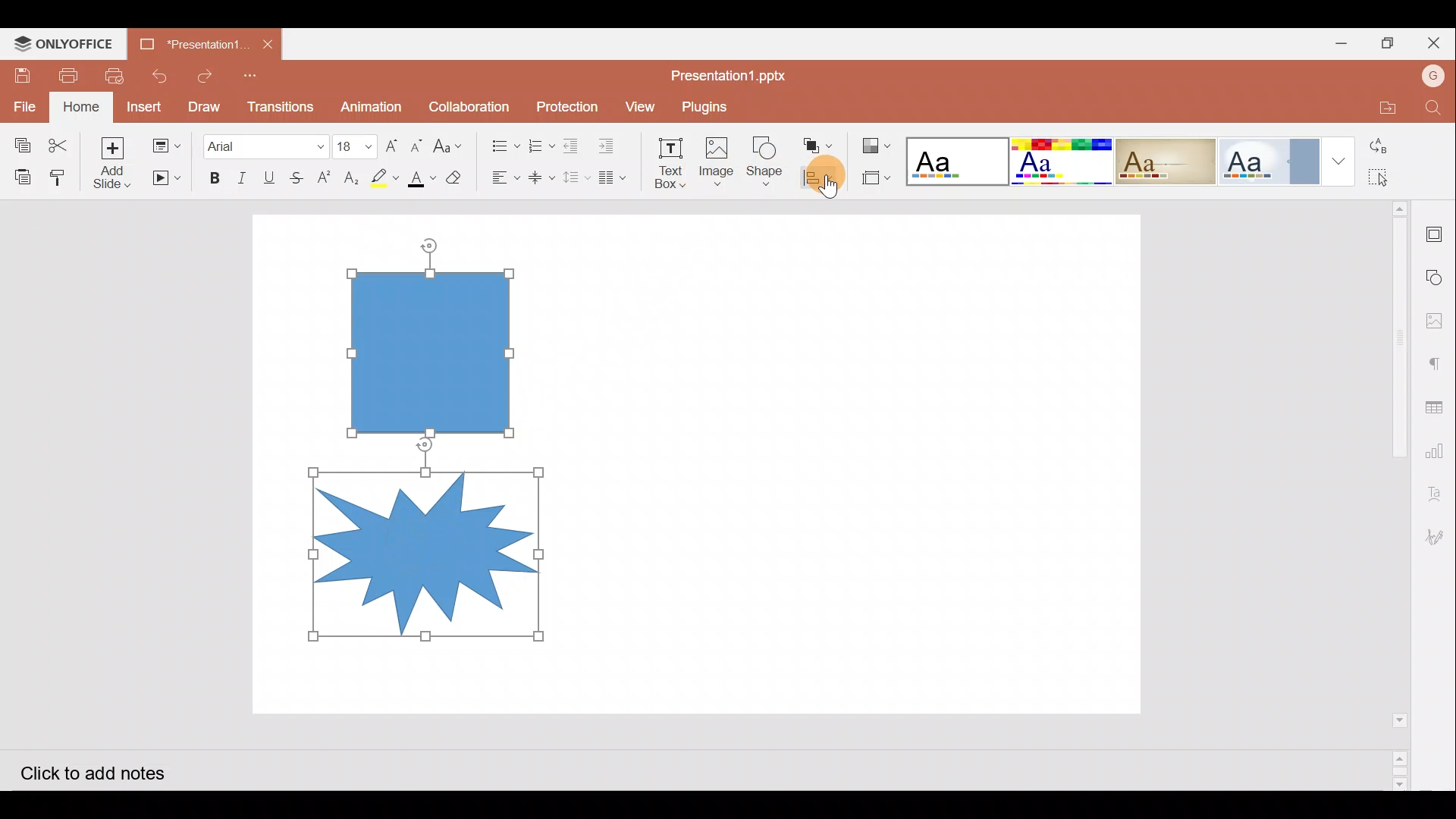 The width and height of the screenshot is (1456, 819). I want to click on Close, so click(1436, 42).